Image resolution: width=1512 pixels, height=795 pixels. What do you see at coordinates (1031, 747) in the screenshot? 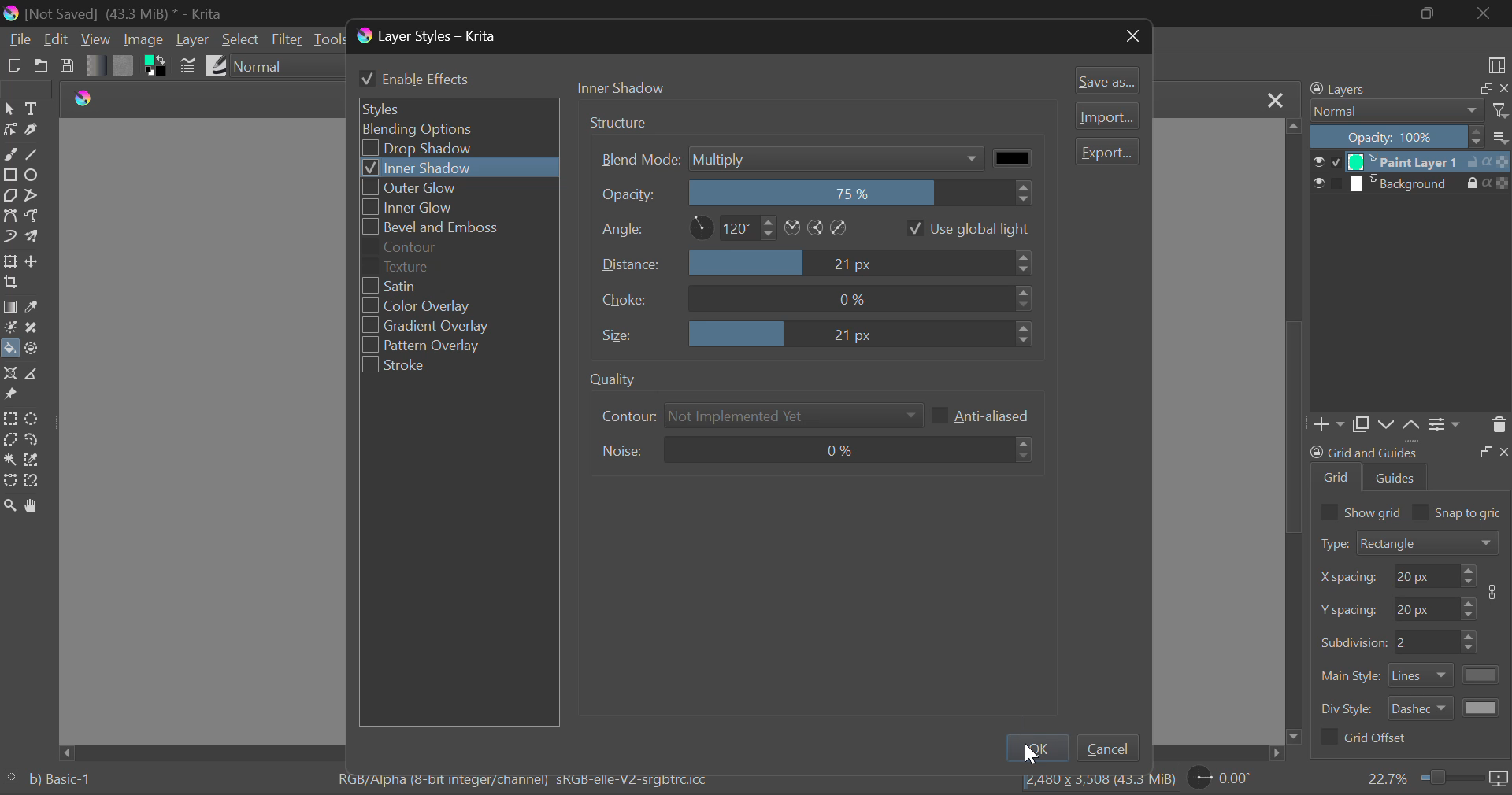
I see `Ok` at bounding box center [1031, 747].